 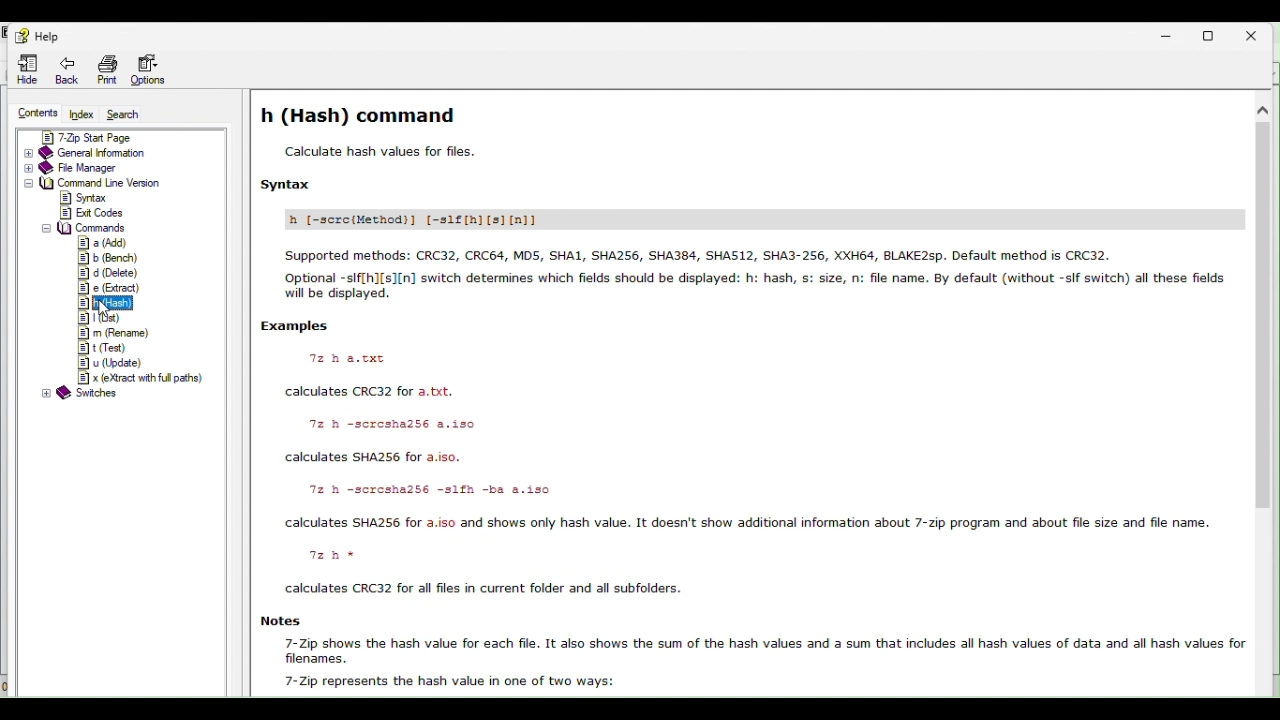 What do you see at coordinates (24, 67) in the screenshot?
I see `Hide` at bounding box center [24, 67].